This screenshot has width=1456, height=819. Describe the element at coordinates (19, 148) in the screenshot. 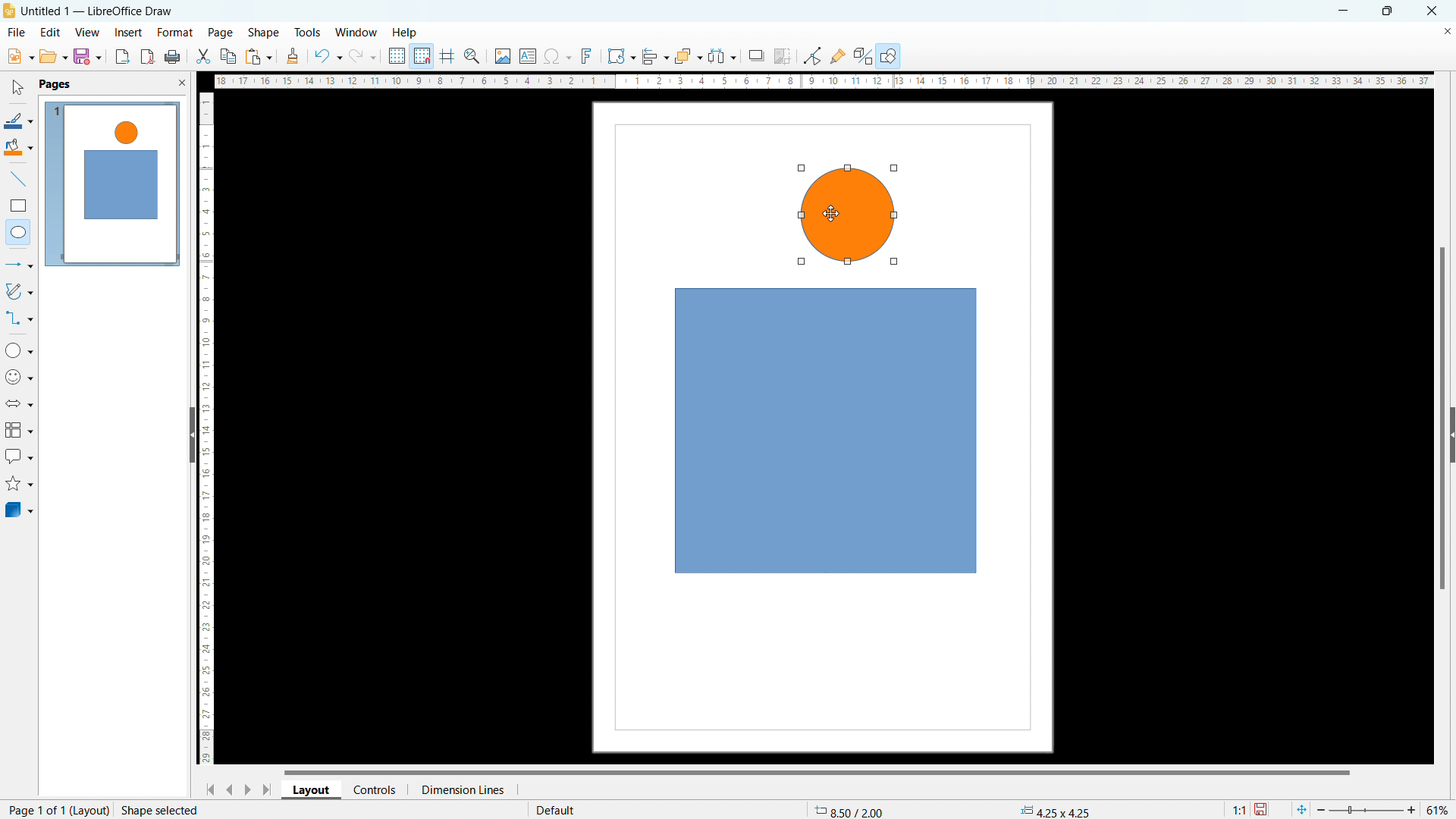

I see `fill color` at that location.